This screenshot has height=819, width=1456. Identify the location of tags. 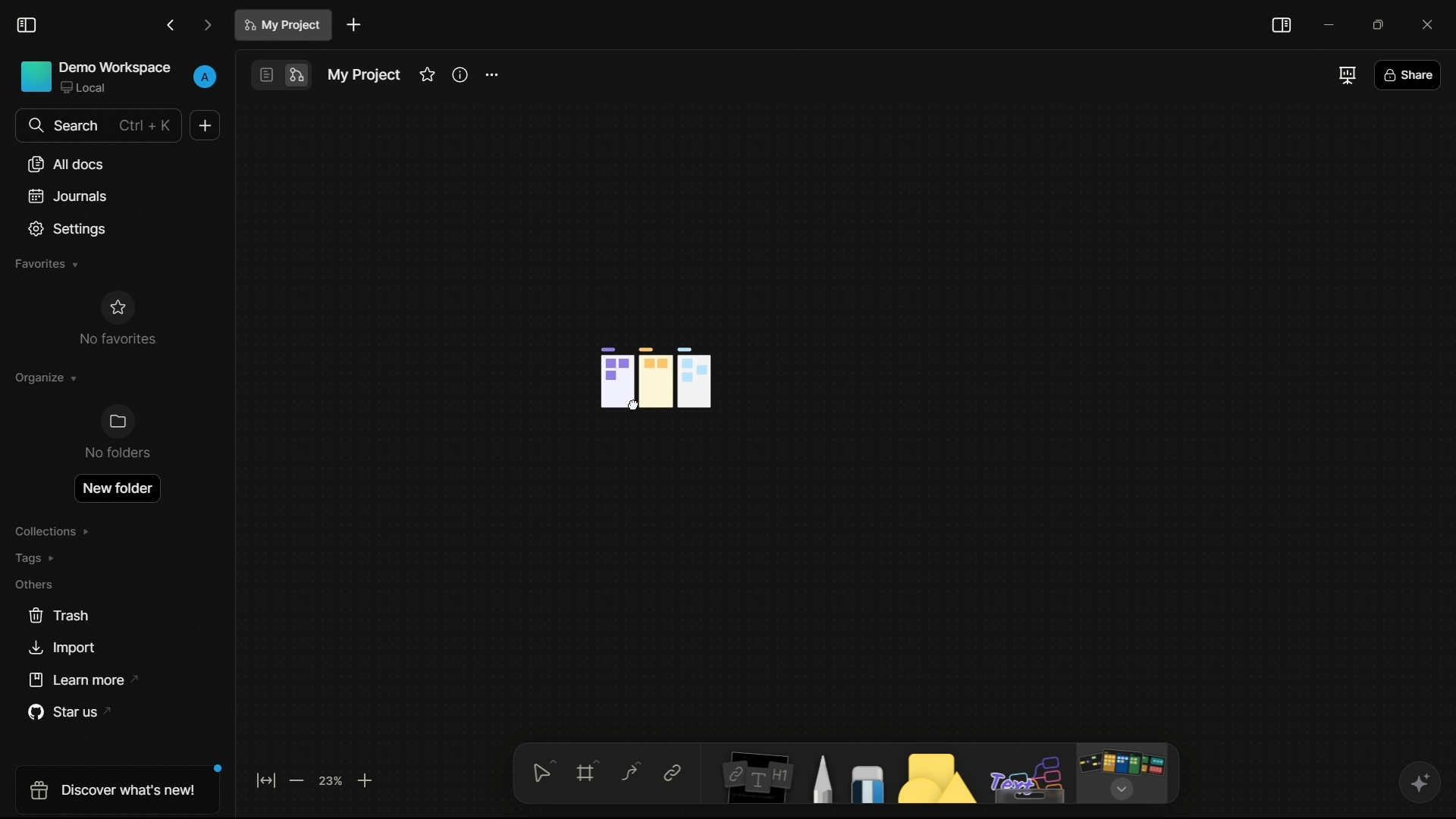
(36, 558).